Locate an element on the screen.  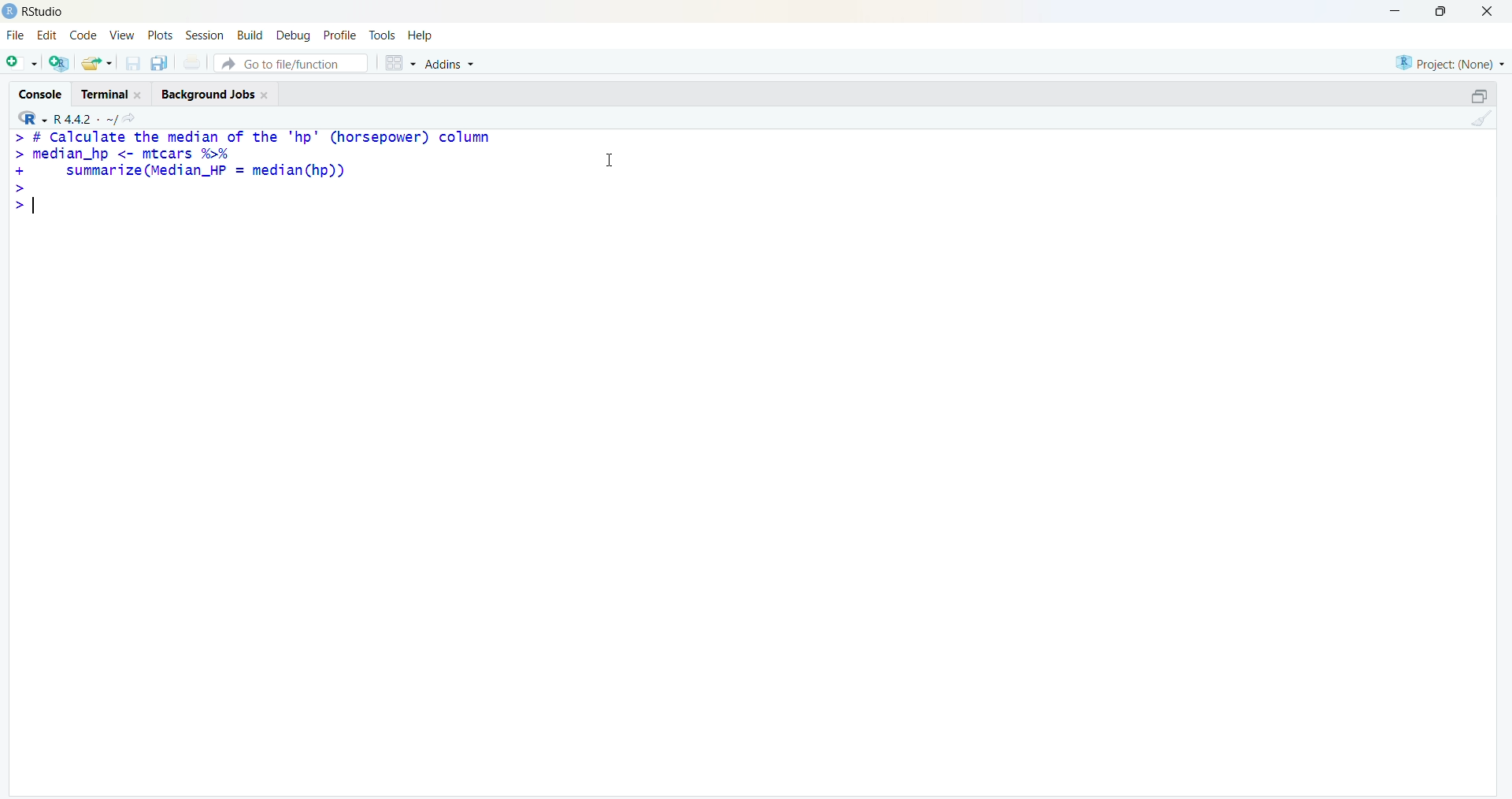
share folder as is located at coordinates (98, 63).